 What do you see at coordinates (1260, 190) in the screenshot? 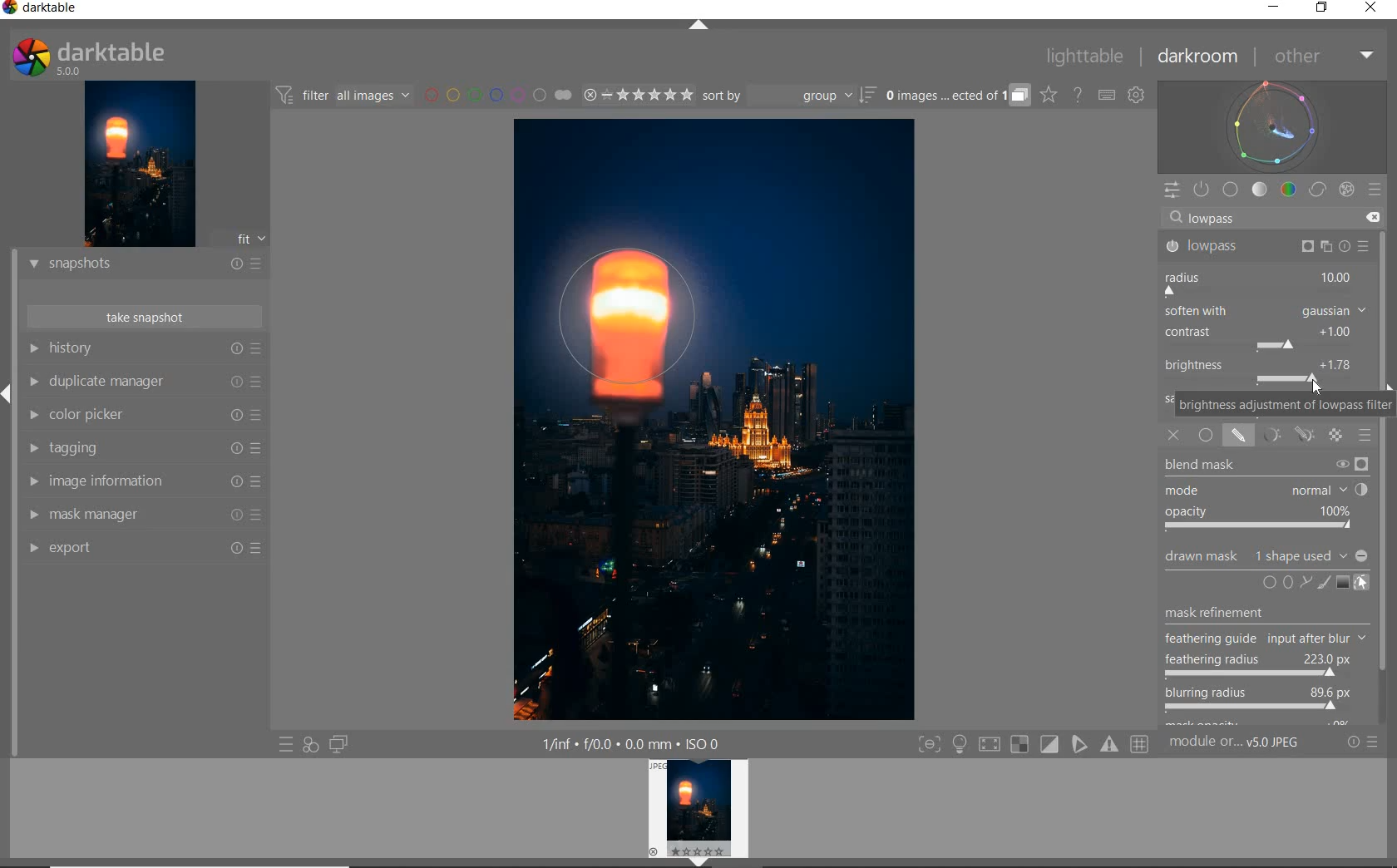
I see `TONE` at bounding box center [1260, 190].